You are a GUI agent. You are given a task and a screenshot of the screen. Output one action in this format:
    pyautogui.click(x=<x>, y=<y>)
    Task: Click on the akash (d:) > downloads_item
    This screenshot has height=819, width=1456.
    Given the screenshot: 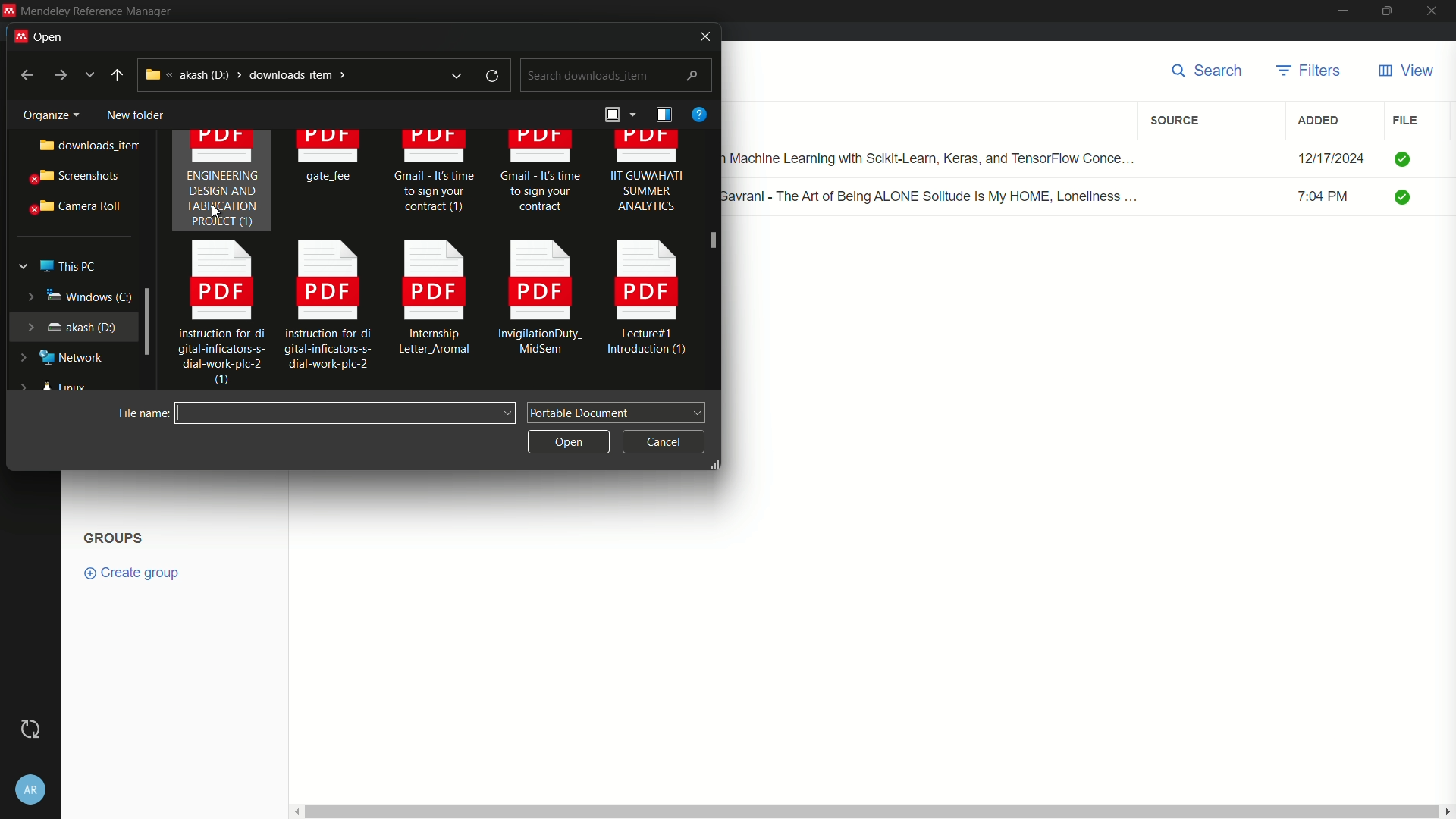 What is the action you would take?
    pyautogui.click(x=277, y=74)
    